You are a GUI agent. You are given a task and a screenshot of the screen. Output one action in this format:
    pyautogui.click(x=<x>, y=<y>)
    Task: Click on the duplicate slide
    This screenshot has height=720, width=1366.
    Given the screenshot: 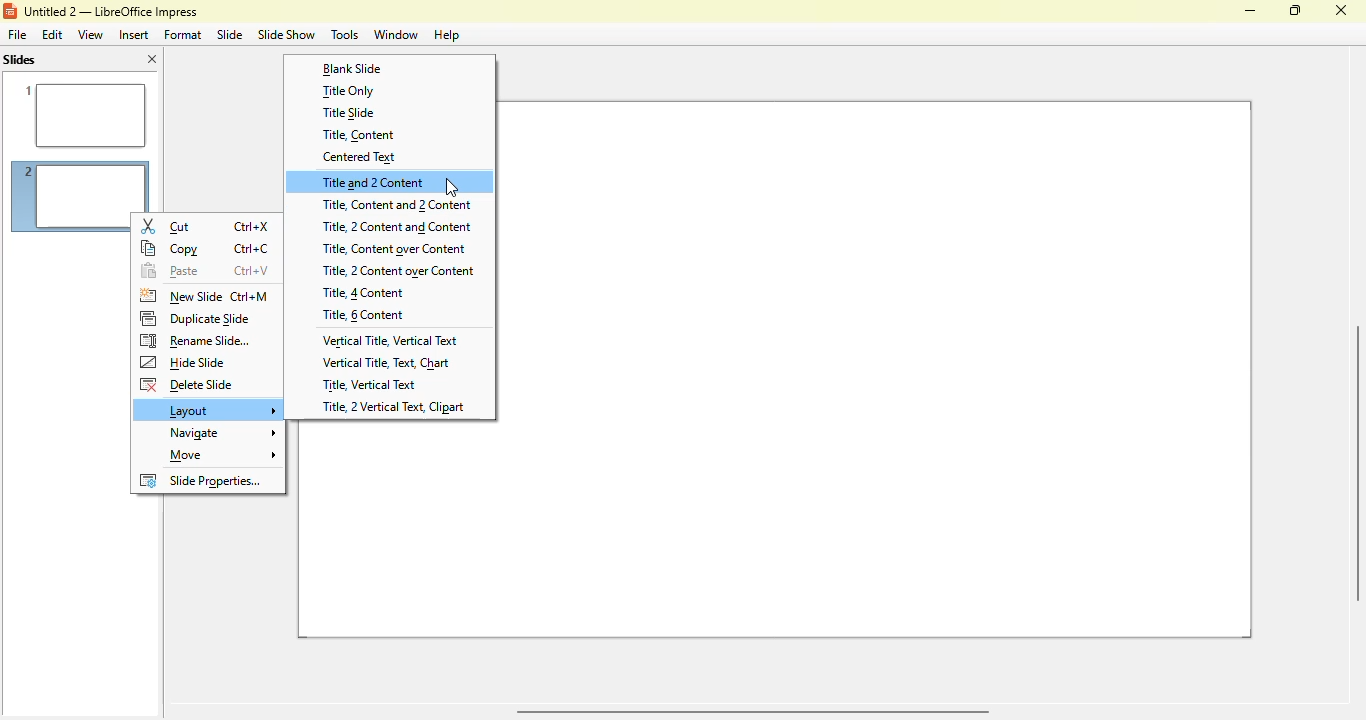 What is the action you would take?
    pyautogui.click(x=195, y=318)
    